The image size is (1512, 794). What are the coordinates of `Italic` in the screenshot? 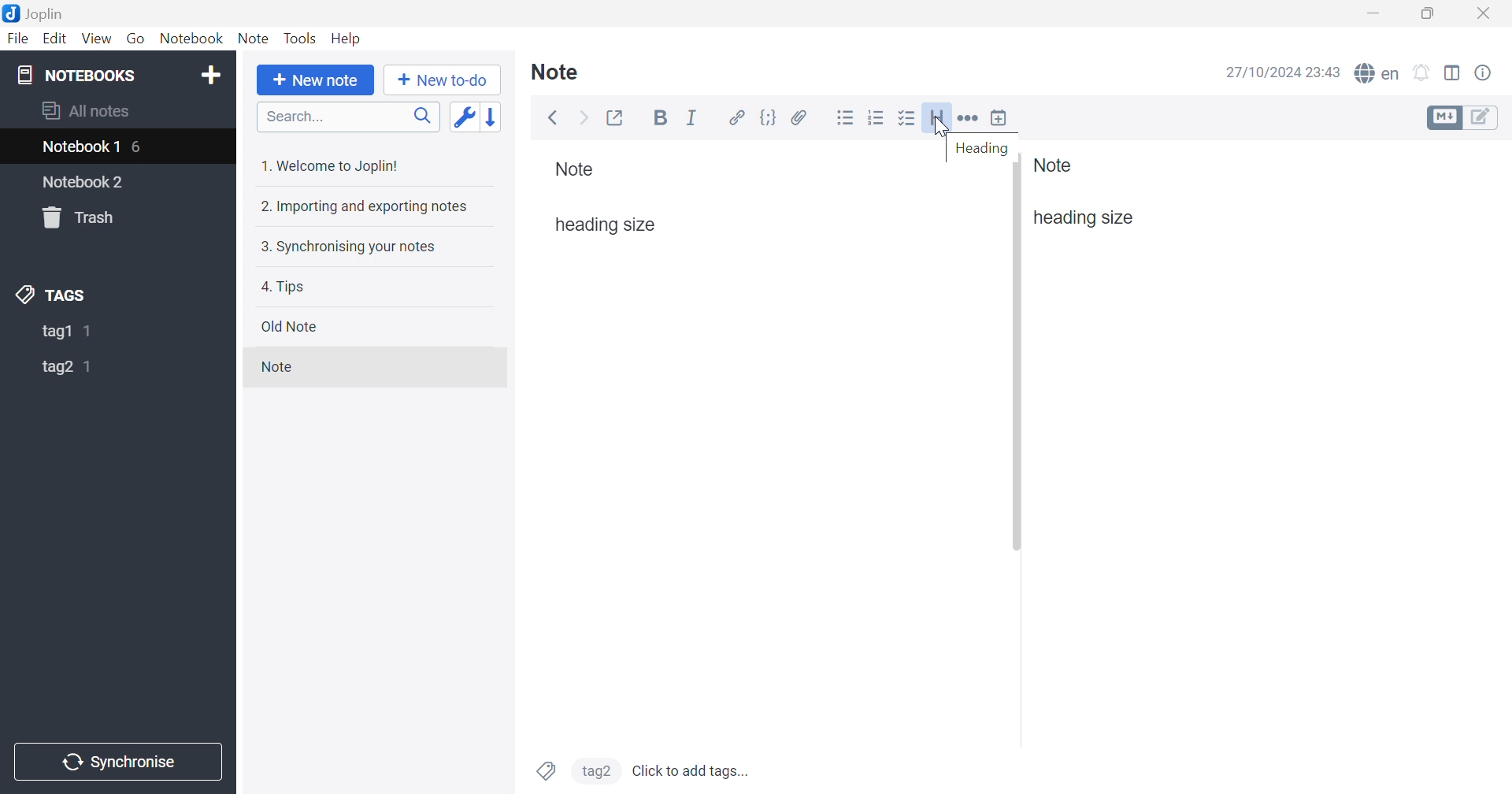 It's located at (693, 117).